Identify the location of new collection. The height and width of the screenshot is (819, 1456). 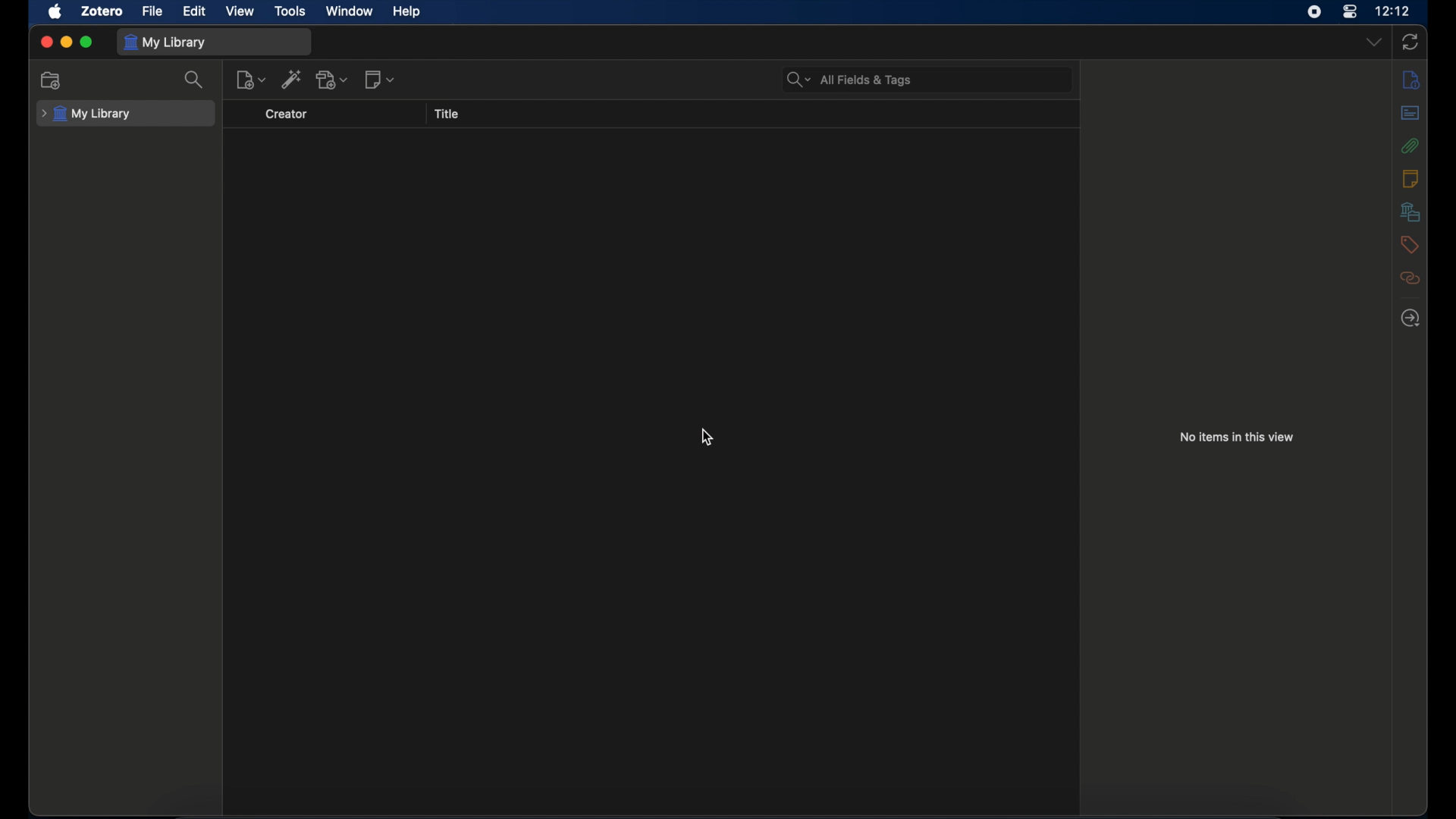
(51, 80).